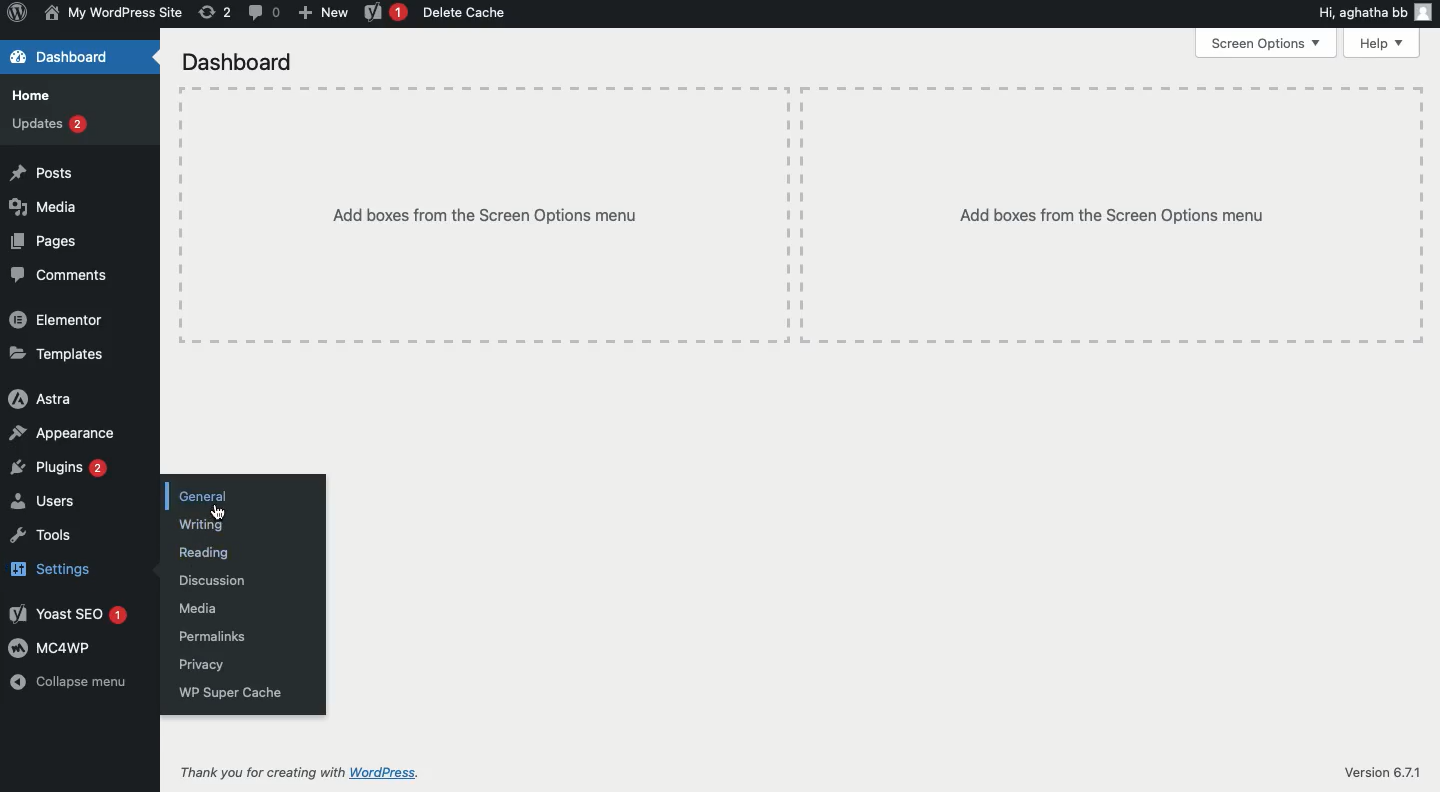  What do you see at coordinates (383, 13) in the screenshot?
I see `Yoast 1` at bounding box center [383, 13].